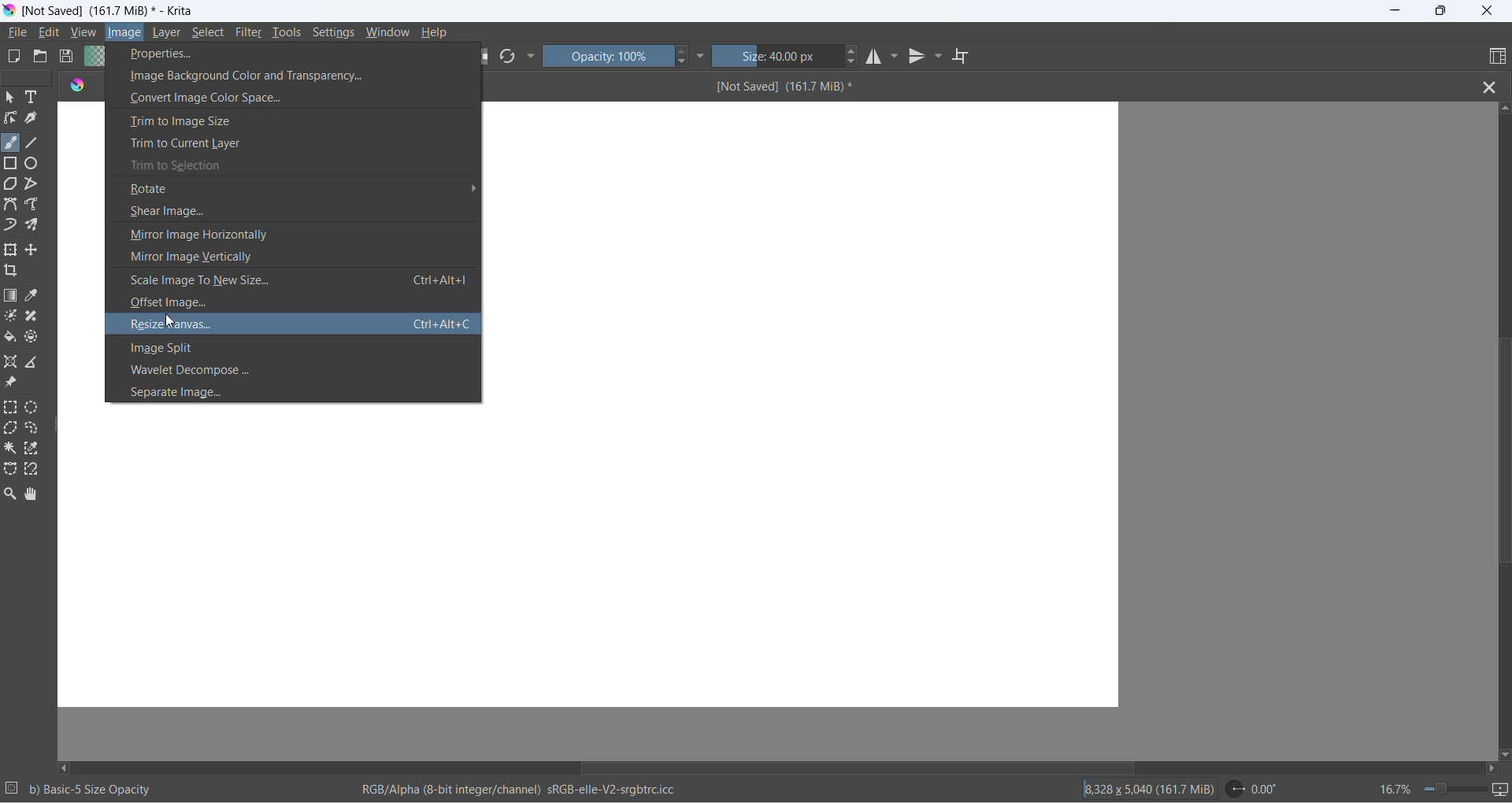 This screenshot has height=803, width=1512. Describe the element at coordinates (291, 394) in the screenshot. I see `separate image` at that location.